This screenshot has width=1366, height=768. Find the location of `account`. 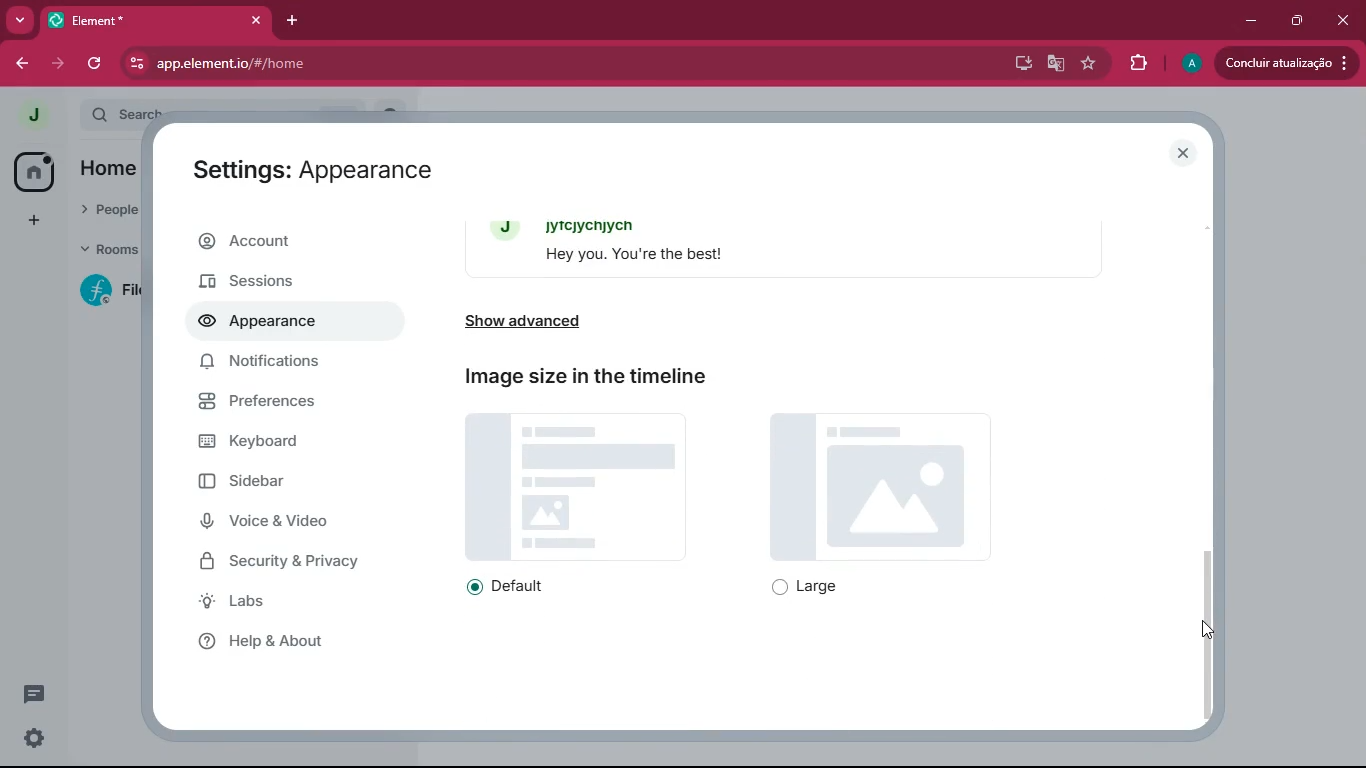

account is located at coordinates (289, 242).